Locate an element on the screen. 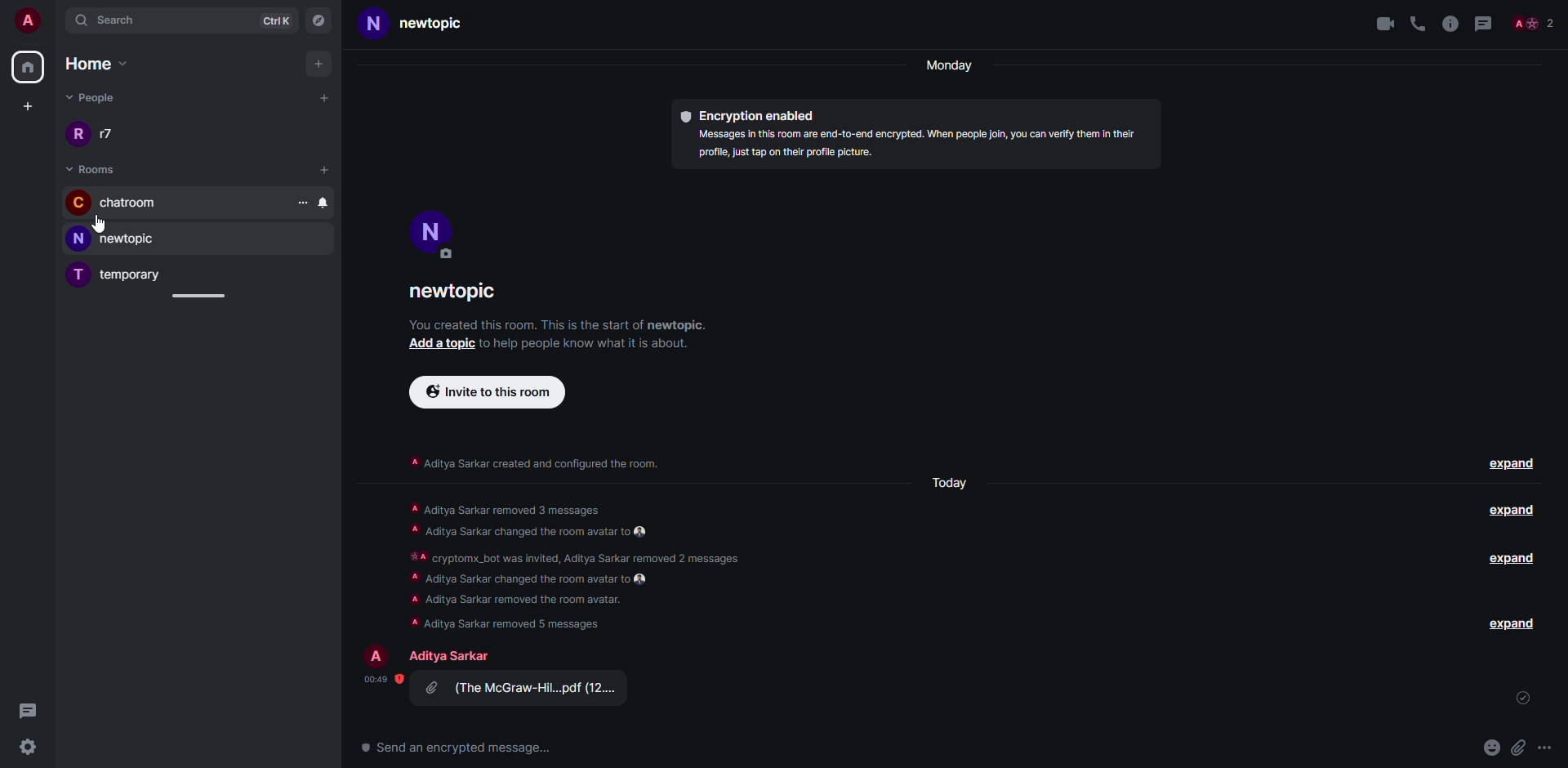 This screenshot has height=768, width=1568. Messages in this room are end-to-end encrypted. When people join, you can verify them In their
profile, just tap on their profile picture. is located at coordinates (914, 145).